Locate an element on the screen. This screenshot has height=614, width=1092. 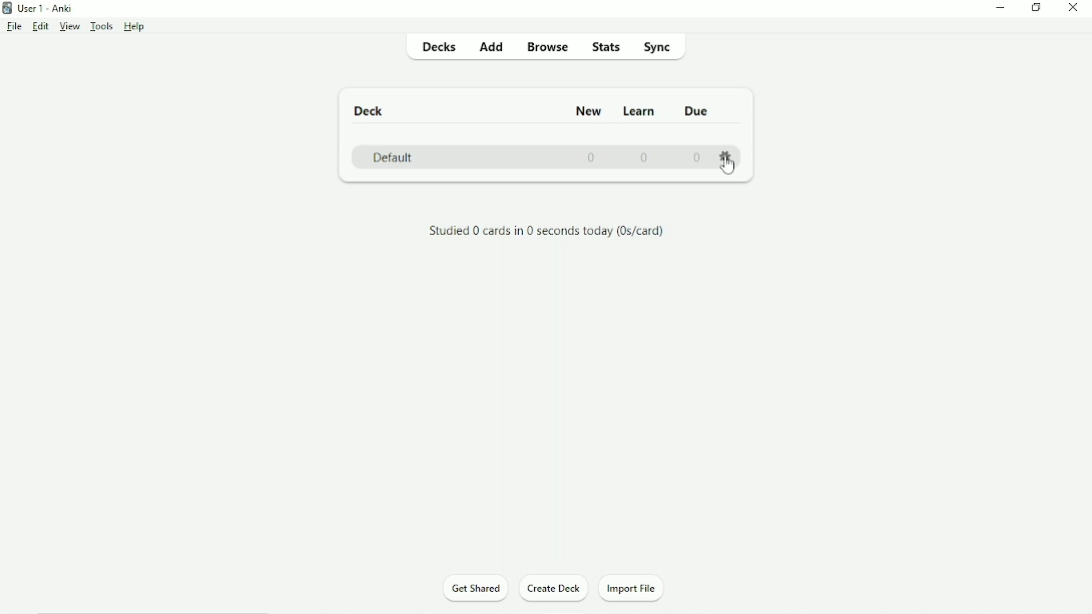
Import File is located at coordinates (640, 589).